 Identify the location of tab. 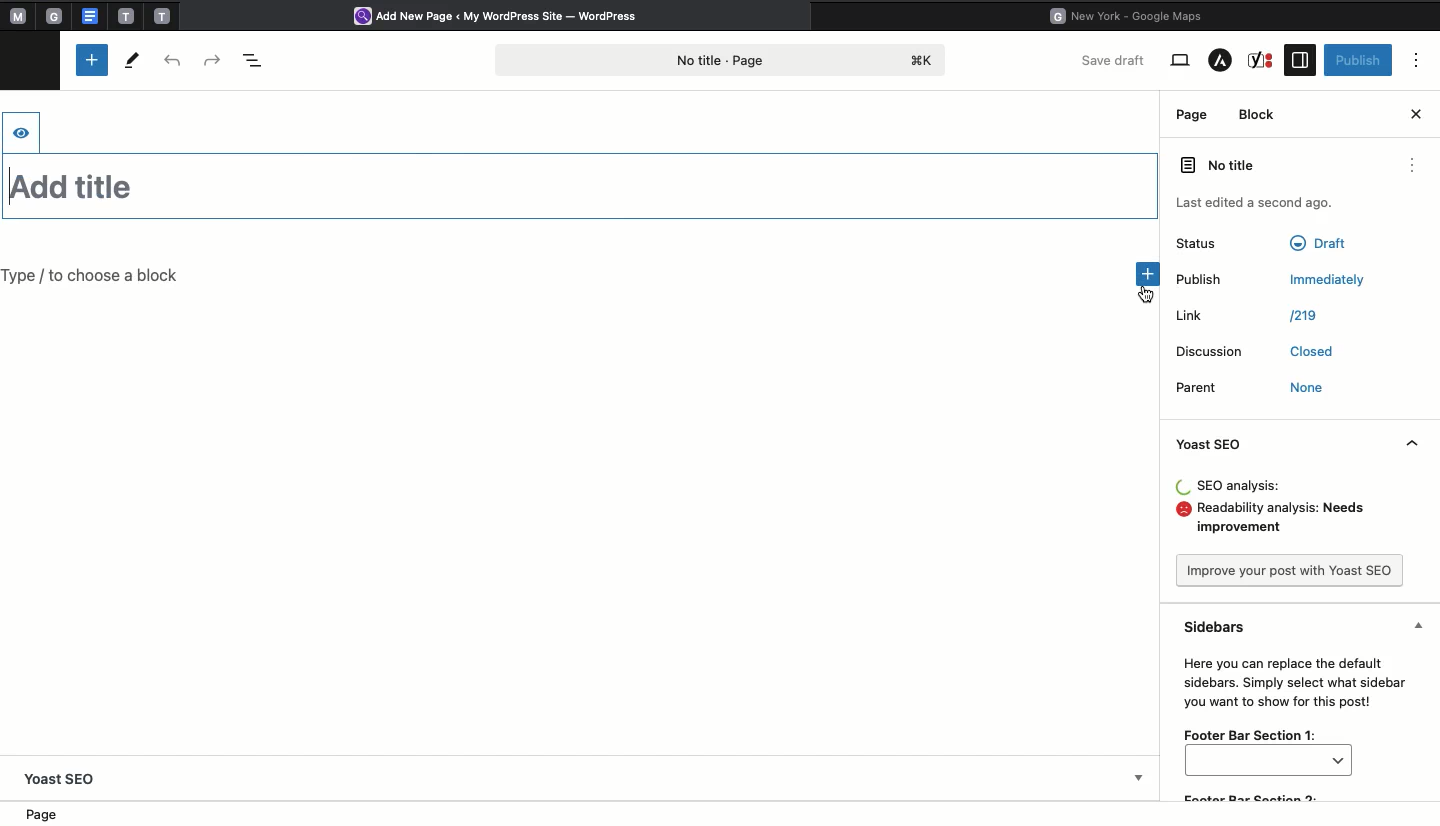
(126, 16).